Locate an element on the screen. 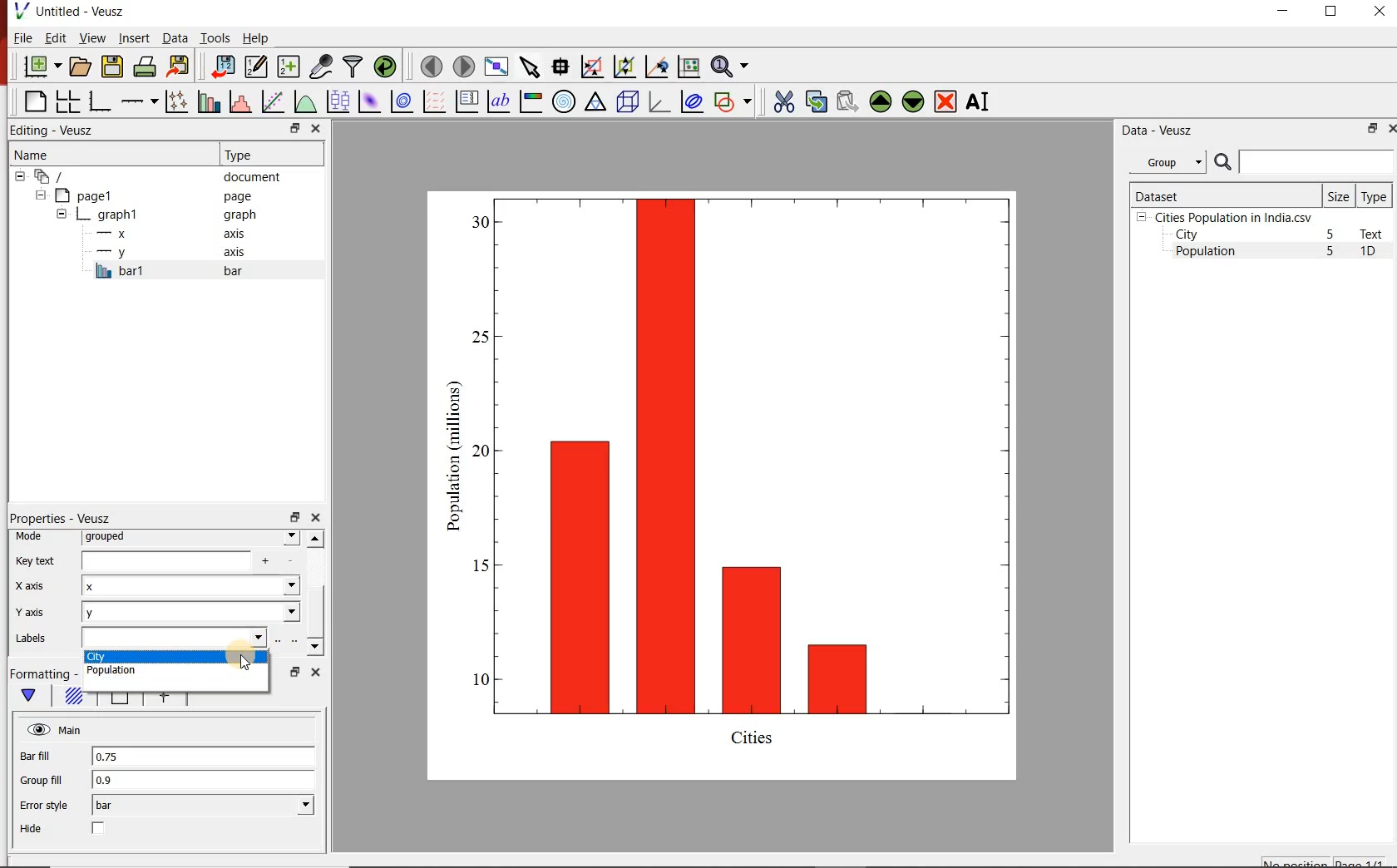 Image resolution: width=1397 pixels, height=868 pixels. Data is located at coordinates (175, 39).